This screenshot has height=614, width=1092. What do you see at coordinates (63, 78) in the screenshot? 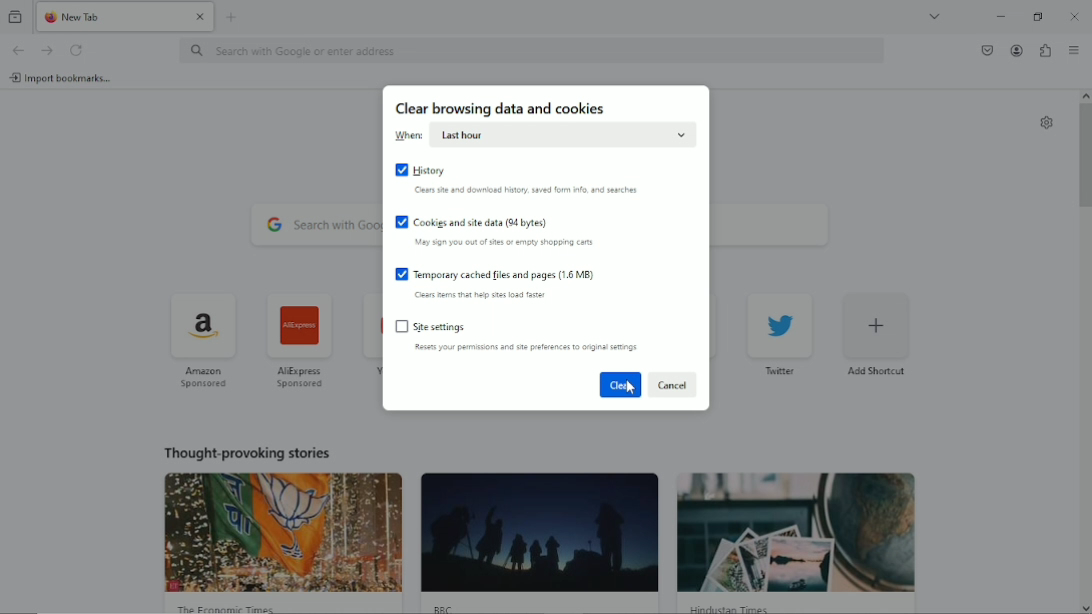
I see `Import bookmarks` at bounding box center [63, 78].